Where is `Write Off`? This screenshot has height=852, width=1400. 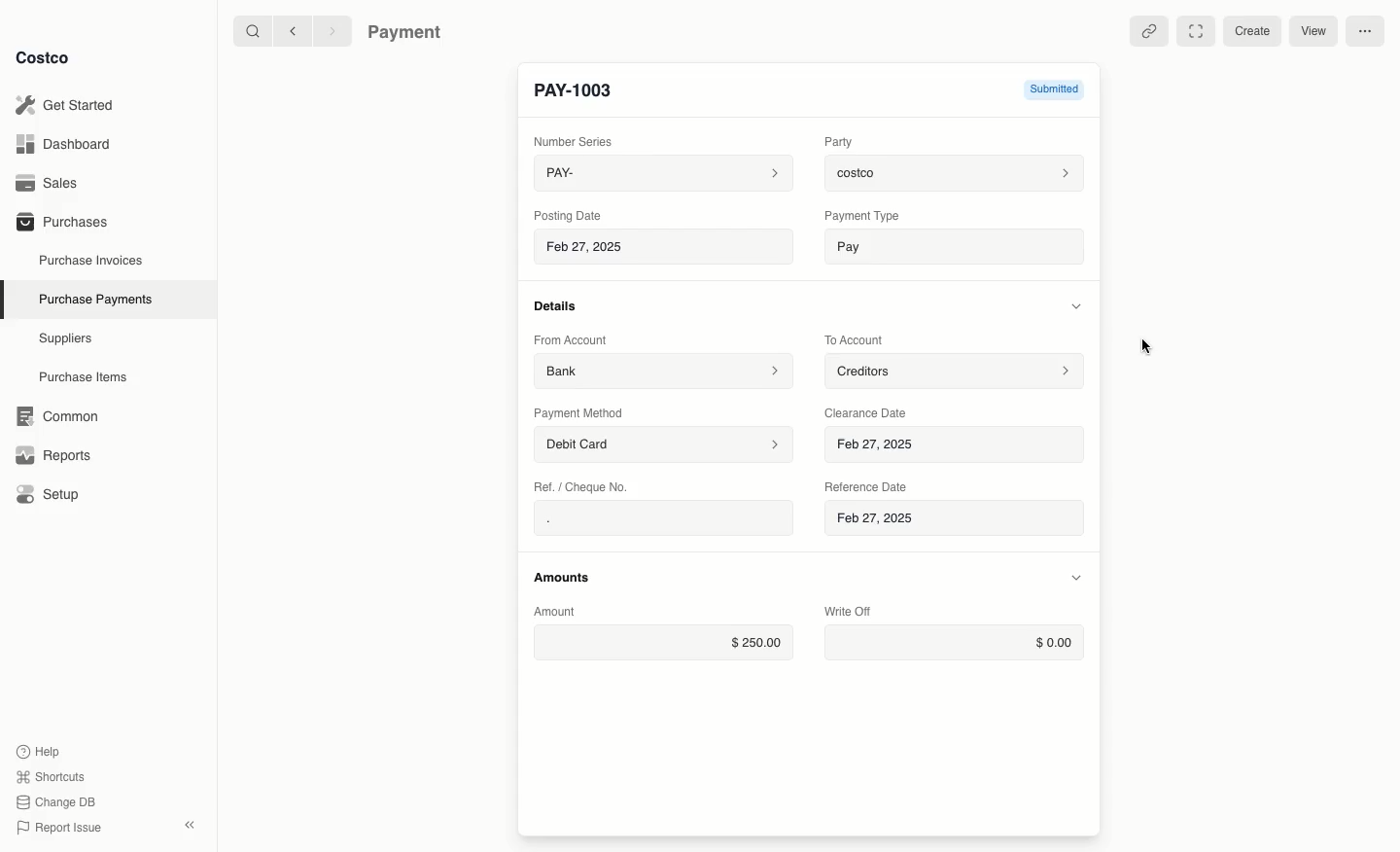 Write Off is located at coordinates (844, 613).